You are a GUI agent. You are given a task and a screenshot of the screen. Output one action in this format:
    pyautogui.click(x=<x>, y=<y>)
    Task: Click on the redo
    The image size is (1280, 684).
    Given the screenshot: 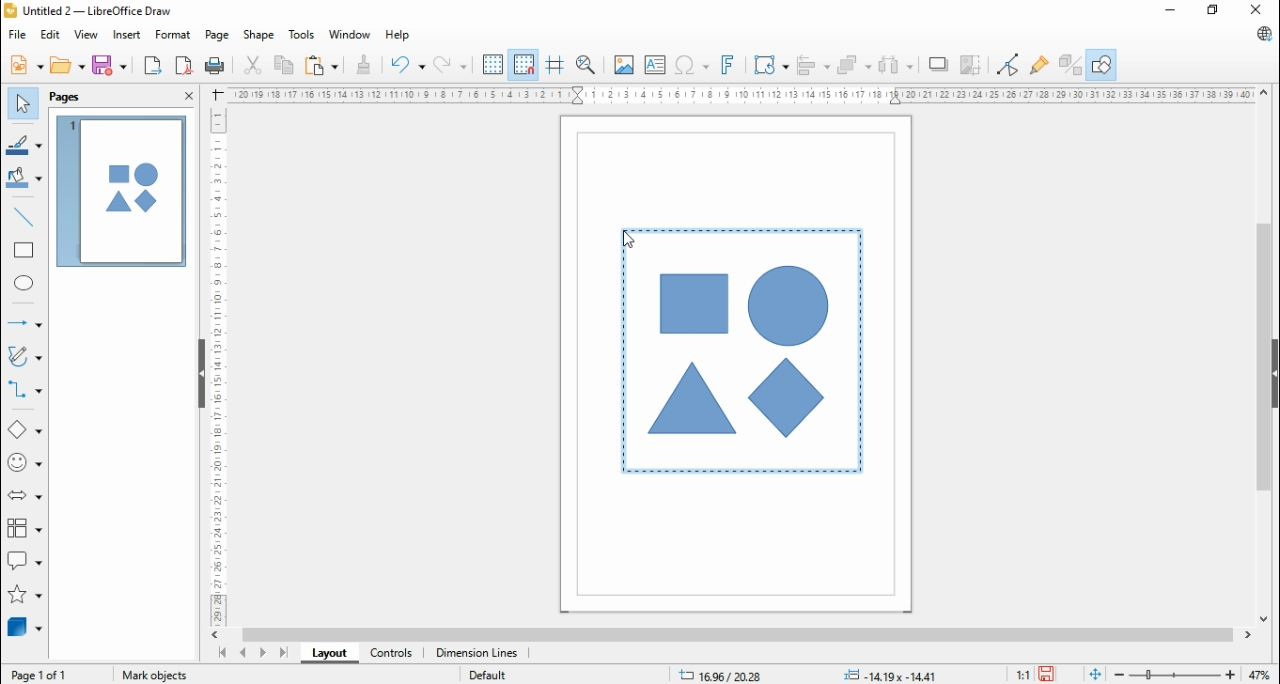 What is the action you would take?
    pyautogui.click(x=452, y=65)
    